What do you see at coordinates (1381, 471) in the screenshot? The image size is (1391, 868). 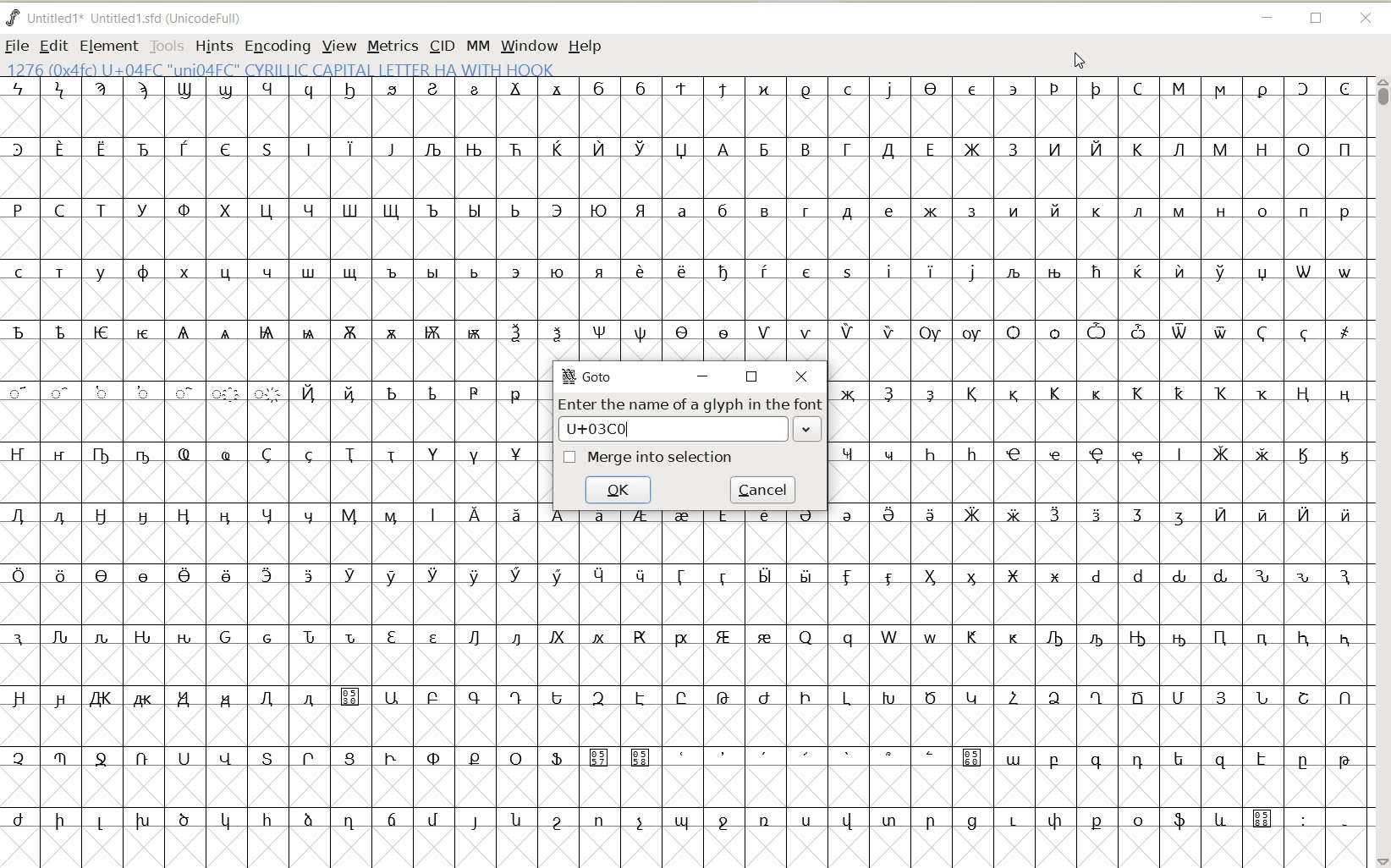 I see `SCROLLBAR` at bounding box center [1381, 471].